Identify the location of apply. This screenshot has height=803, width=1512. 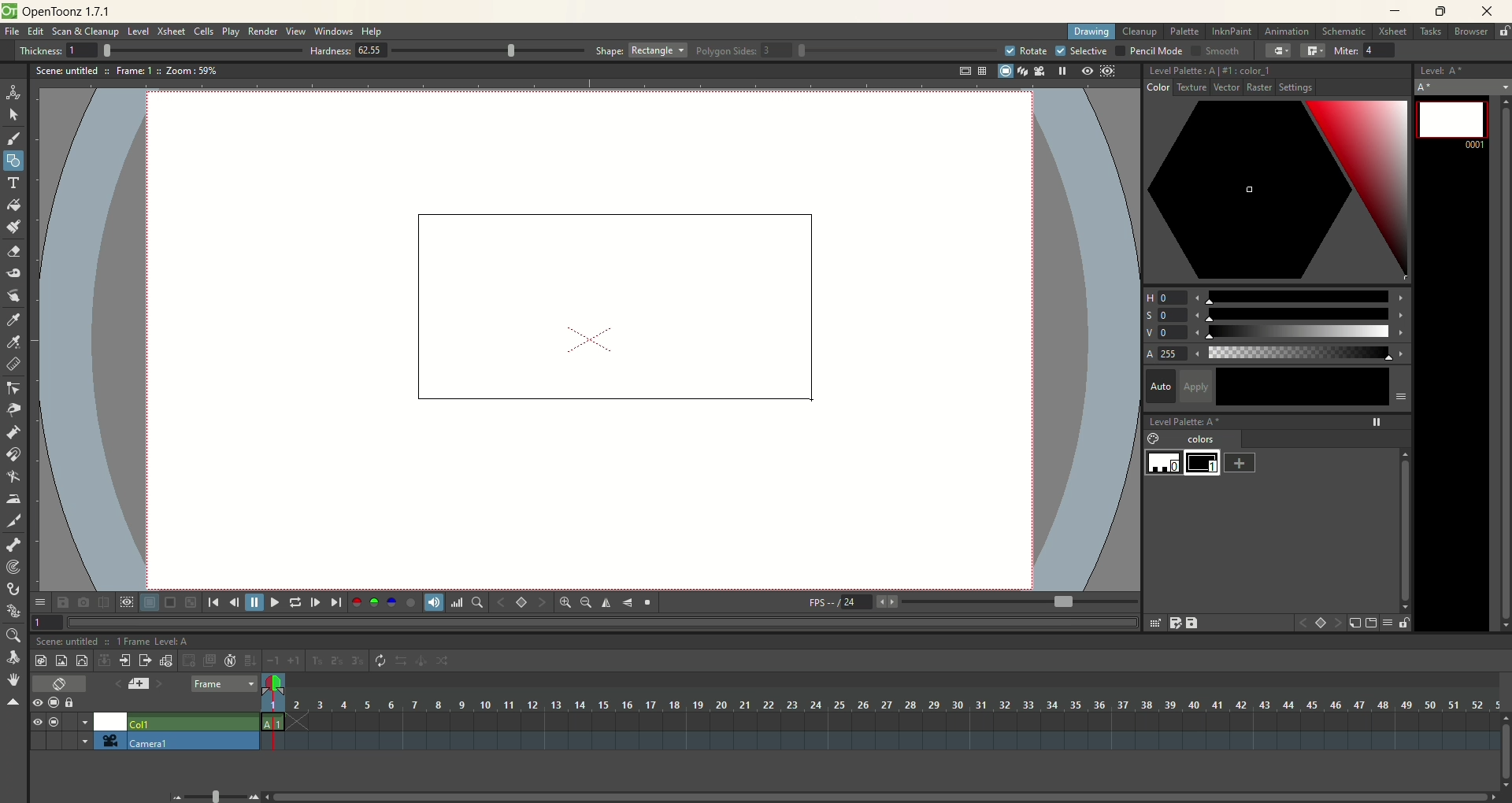
(1295, 387).